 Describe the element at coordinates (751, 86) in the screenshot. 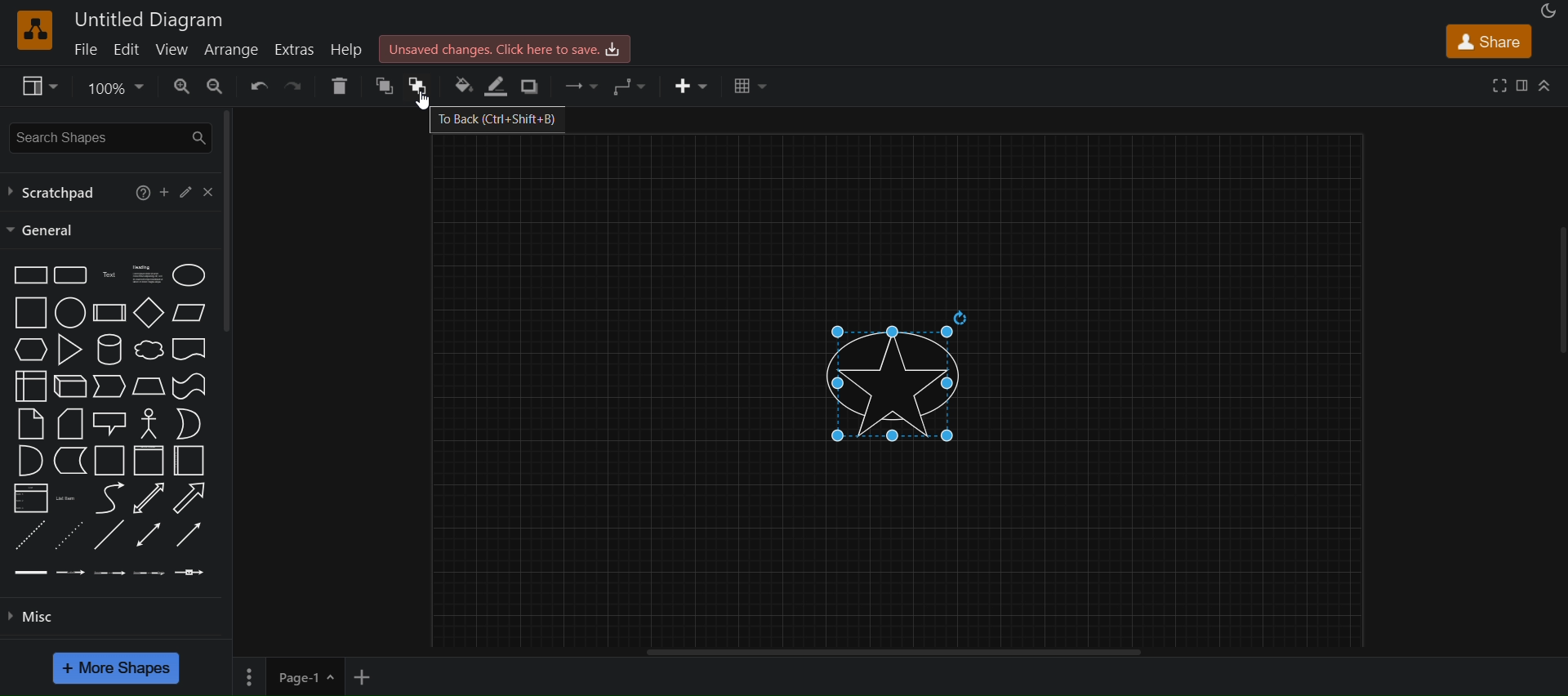

I see `table` at that location.